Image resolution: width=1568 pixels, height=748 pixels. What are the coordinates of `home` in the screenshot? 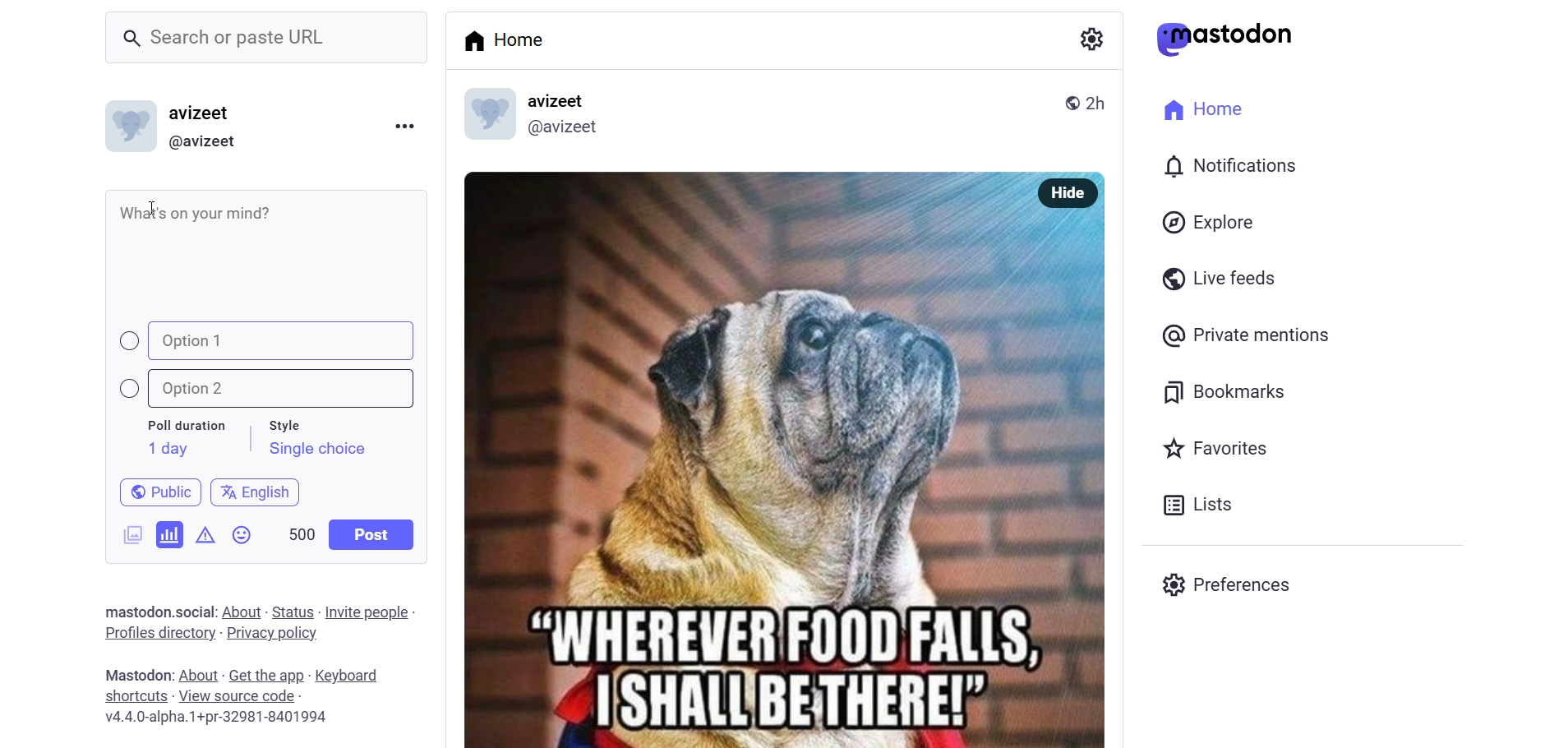 It's located at (1198, 107).